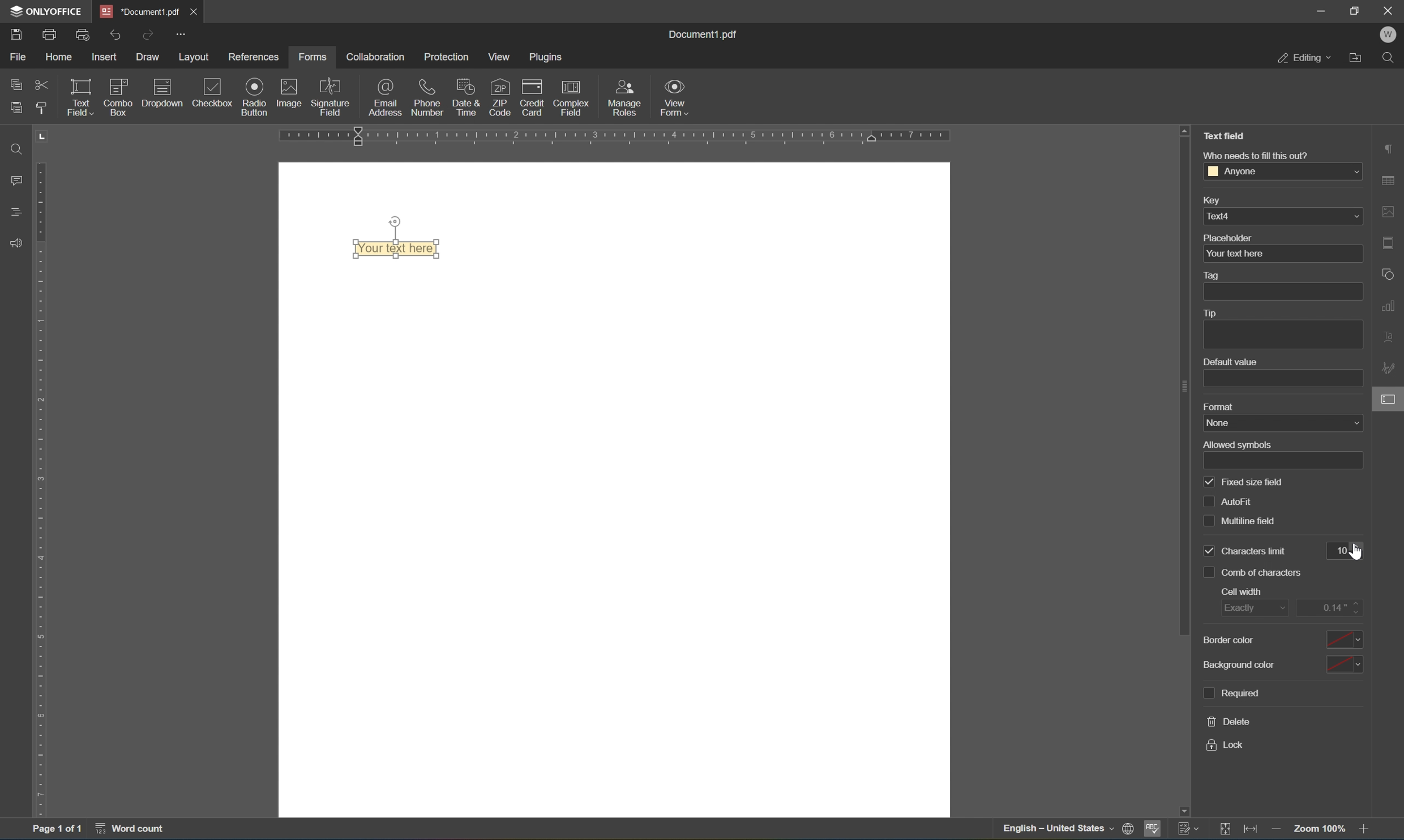 The width and height of the screenshot is (1404, 840). I want to click on table settings, so click(1388, 182).